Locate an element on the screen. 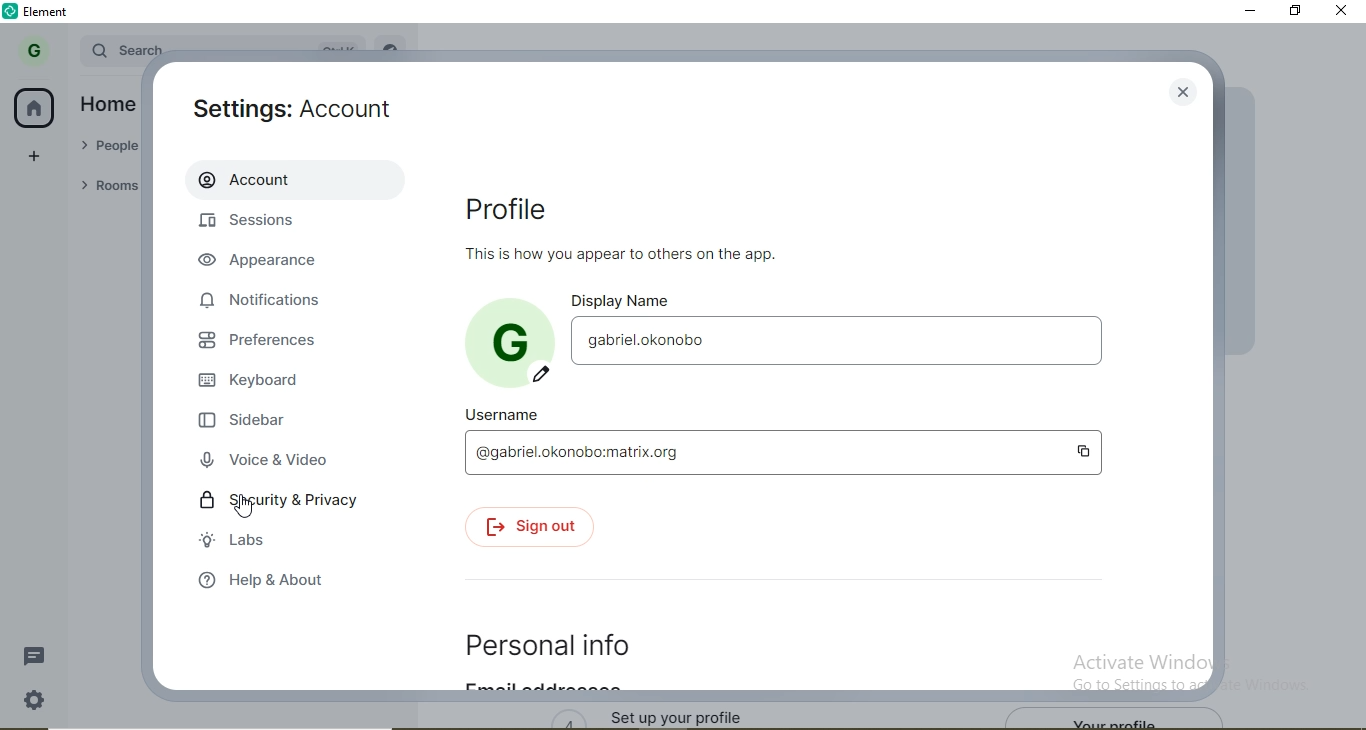 This screenshot has height=730, width=1366. labs is located at coordinates (230, 539).